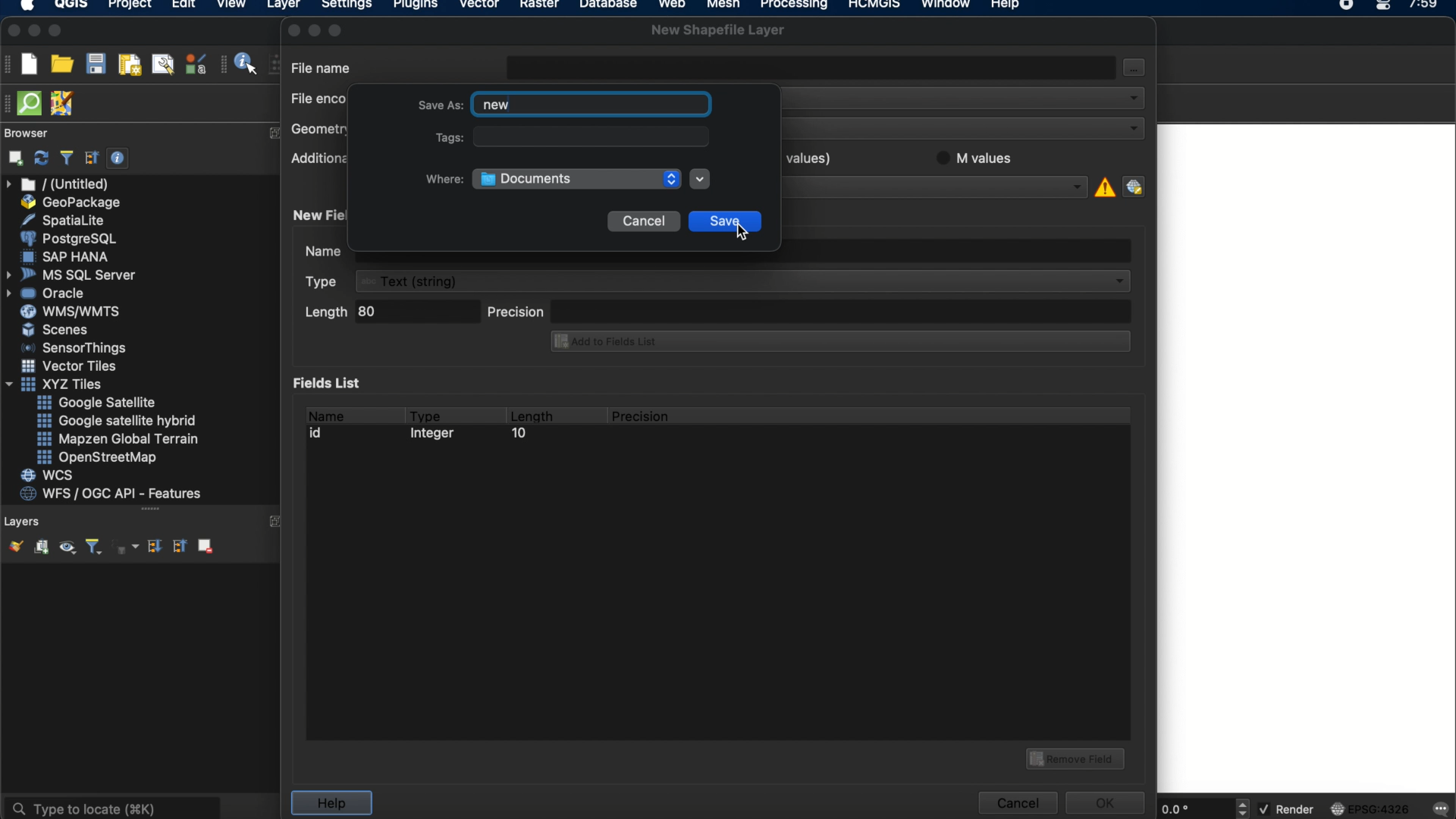 This screenshot has width=1456, height=819. What do you see at coordinates (643, 221) in the screenshot?
I see `cancel` at bounding box center [643, 221].